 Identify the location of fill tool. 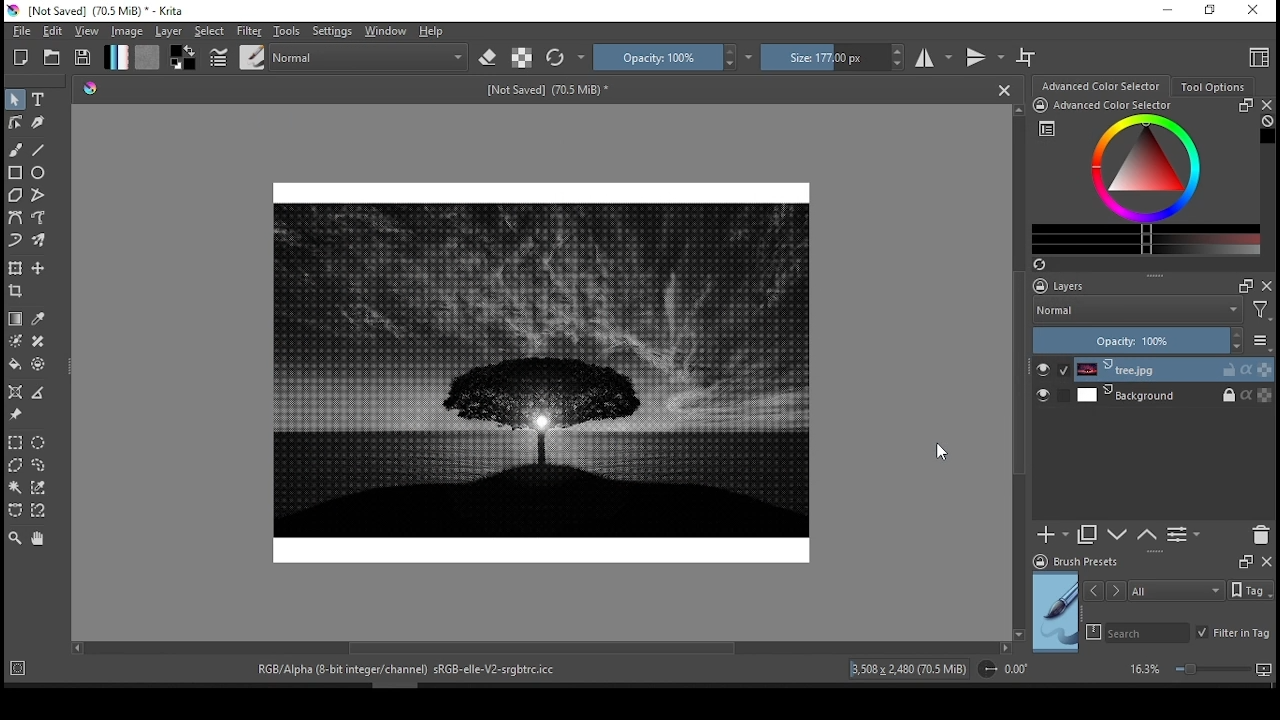
(15, 364).